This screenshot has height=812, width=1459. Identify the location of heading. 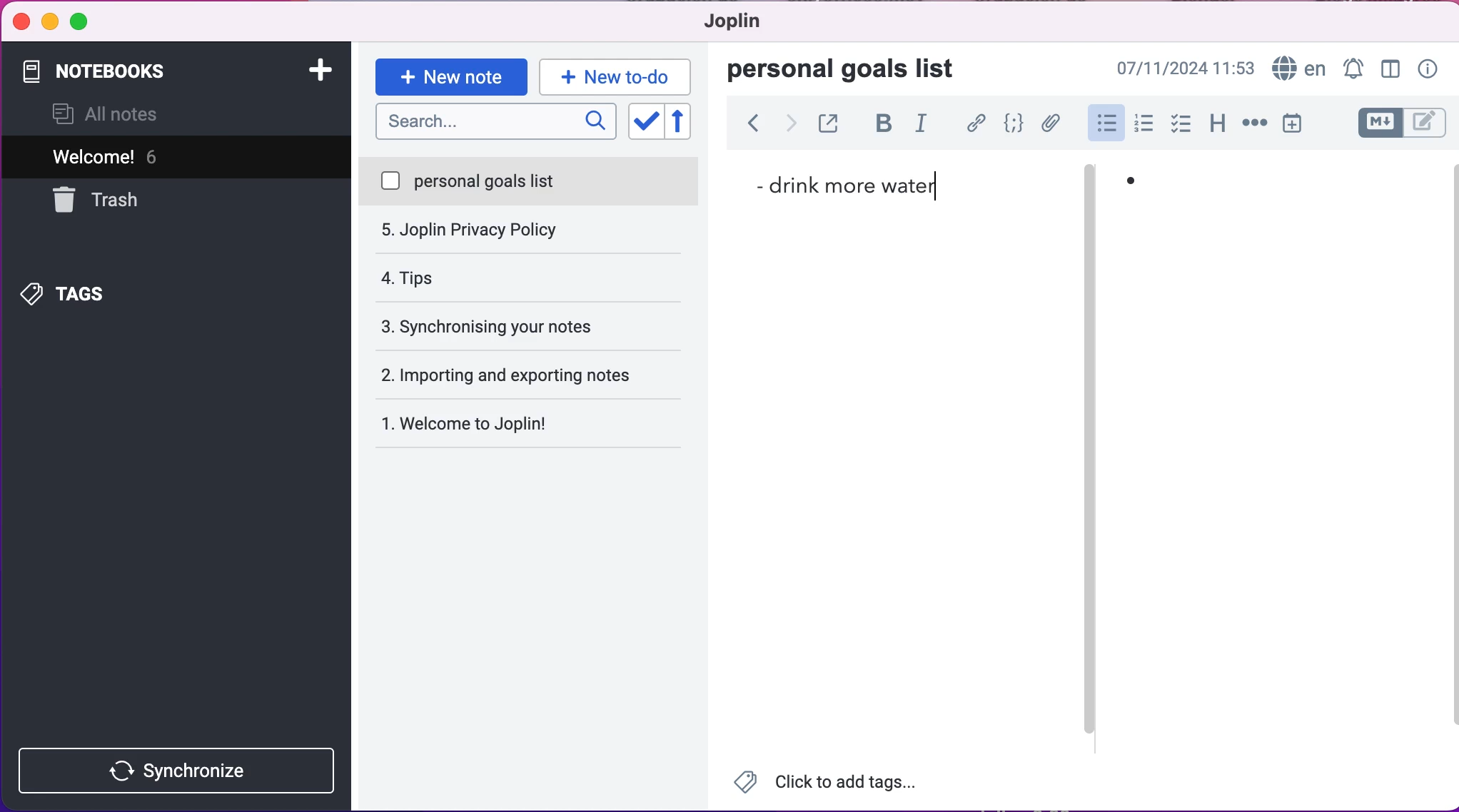
(1217, 127).